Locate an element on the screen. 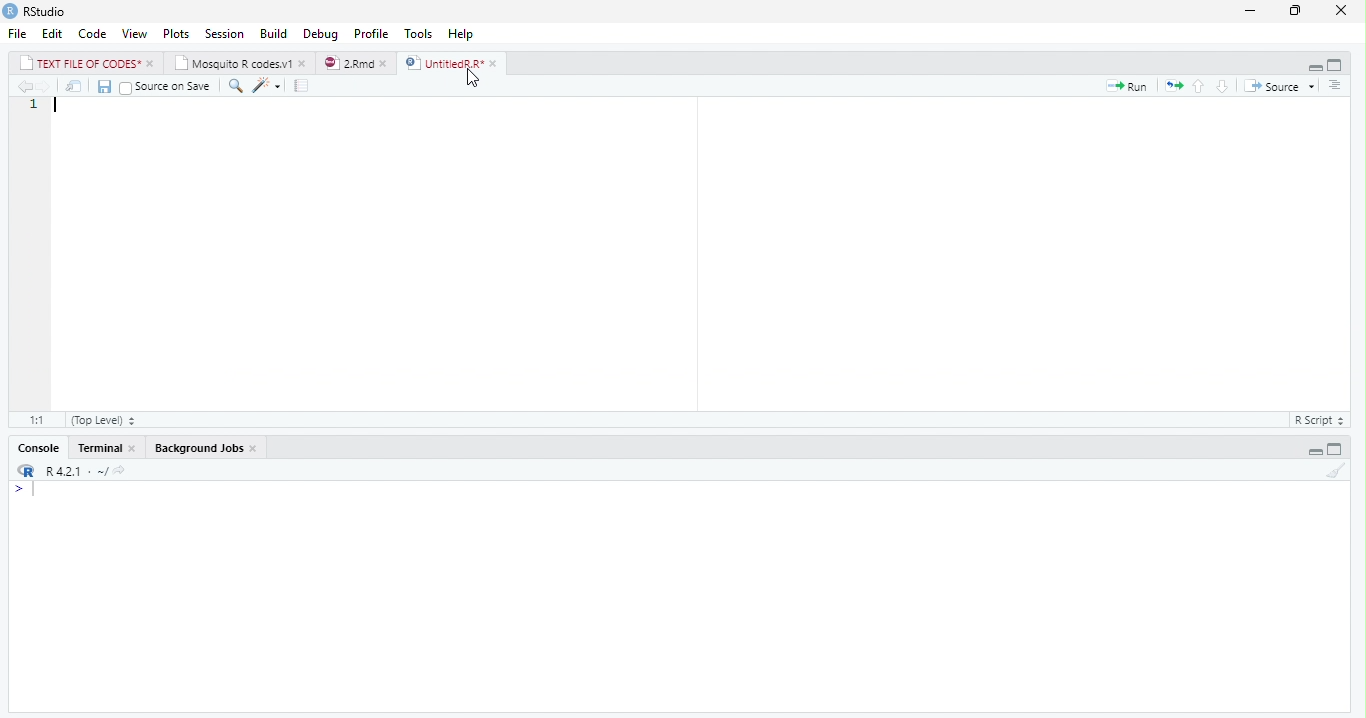  minimize is located at coordinates (1314, 451).